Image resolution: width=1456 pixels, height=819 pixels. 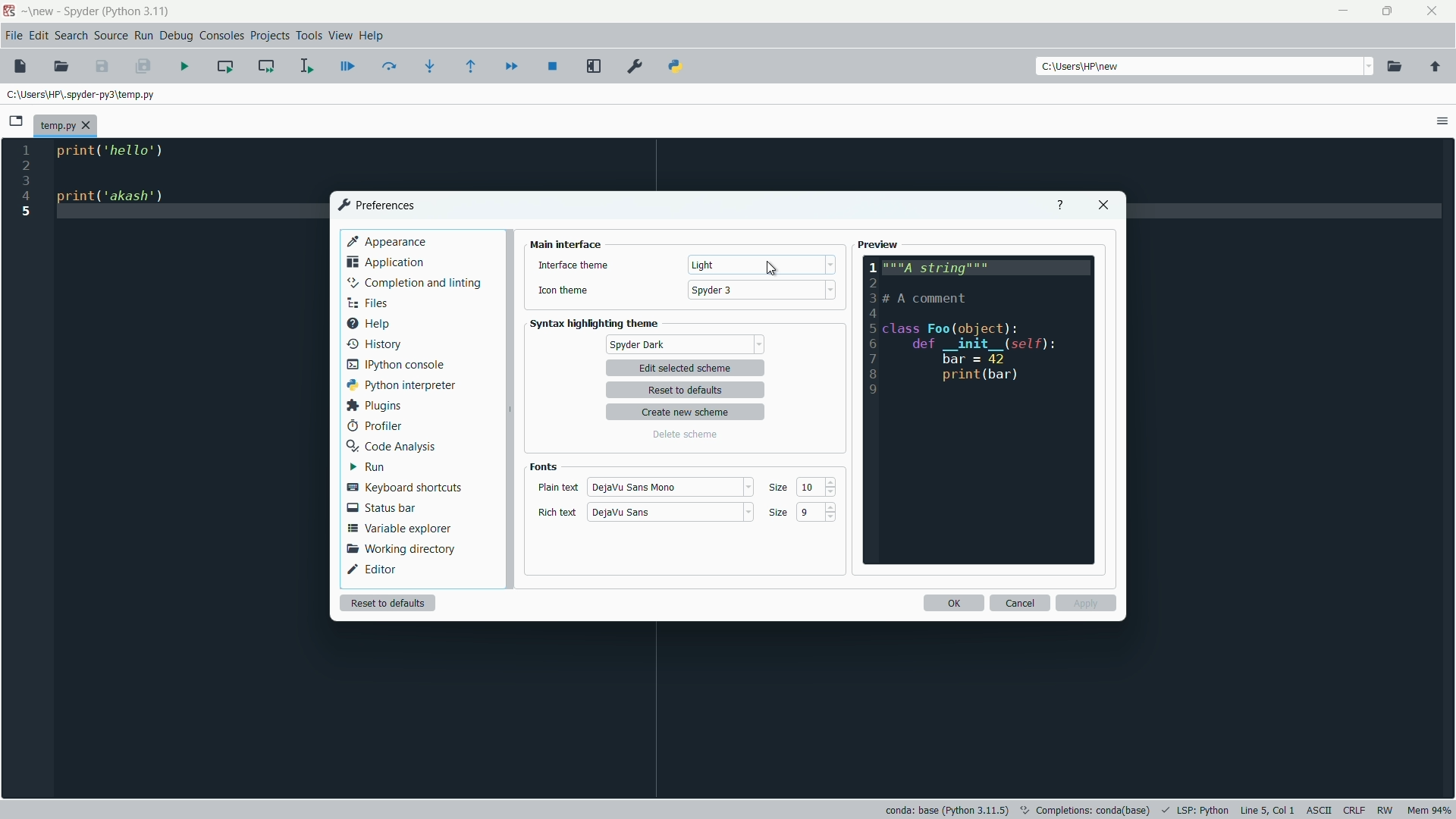 I want to click on stop debugging, so click(x=554, y=66).